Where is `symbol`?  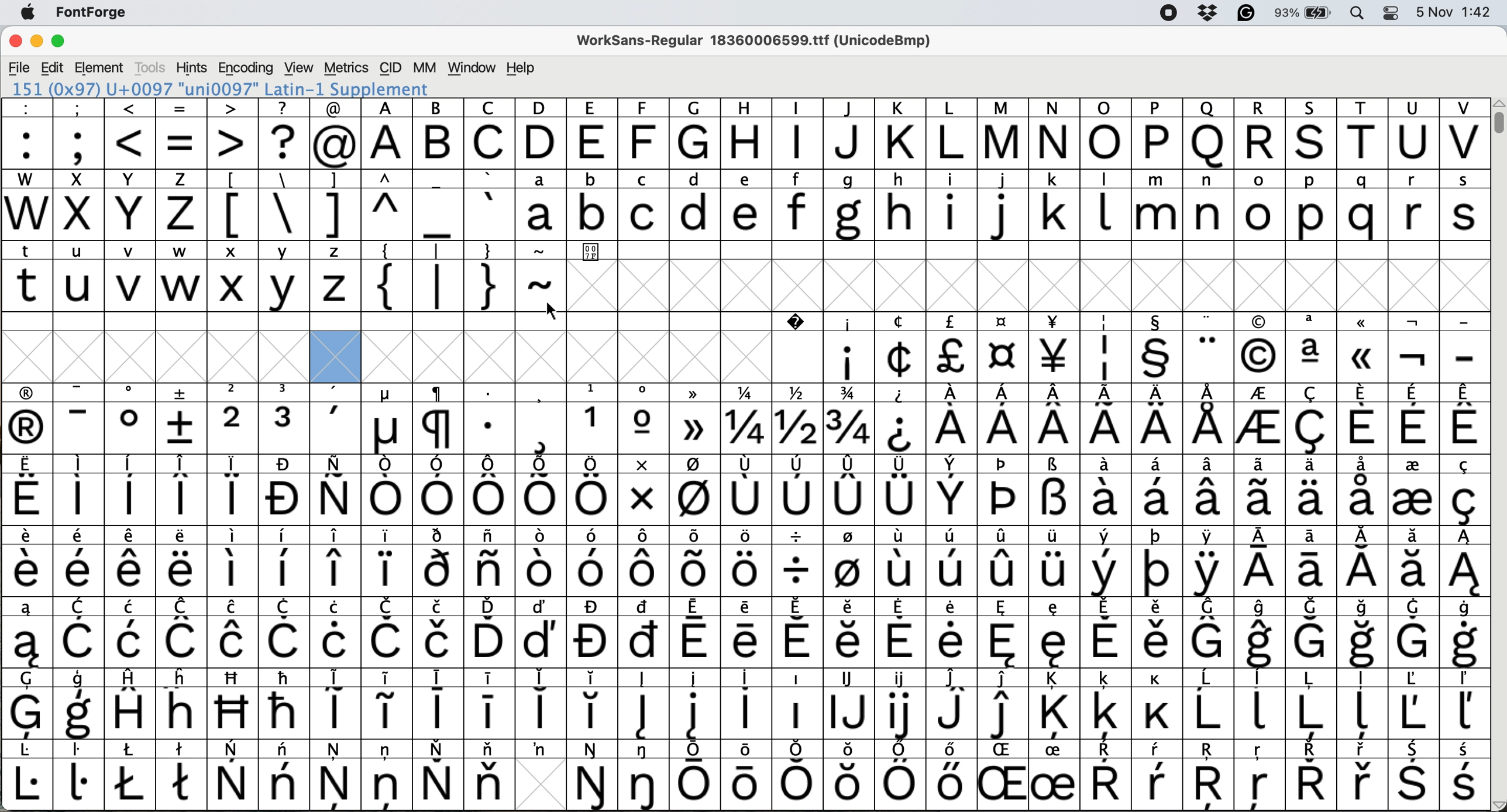
symbol is located at coordinates (130, 418).